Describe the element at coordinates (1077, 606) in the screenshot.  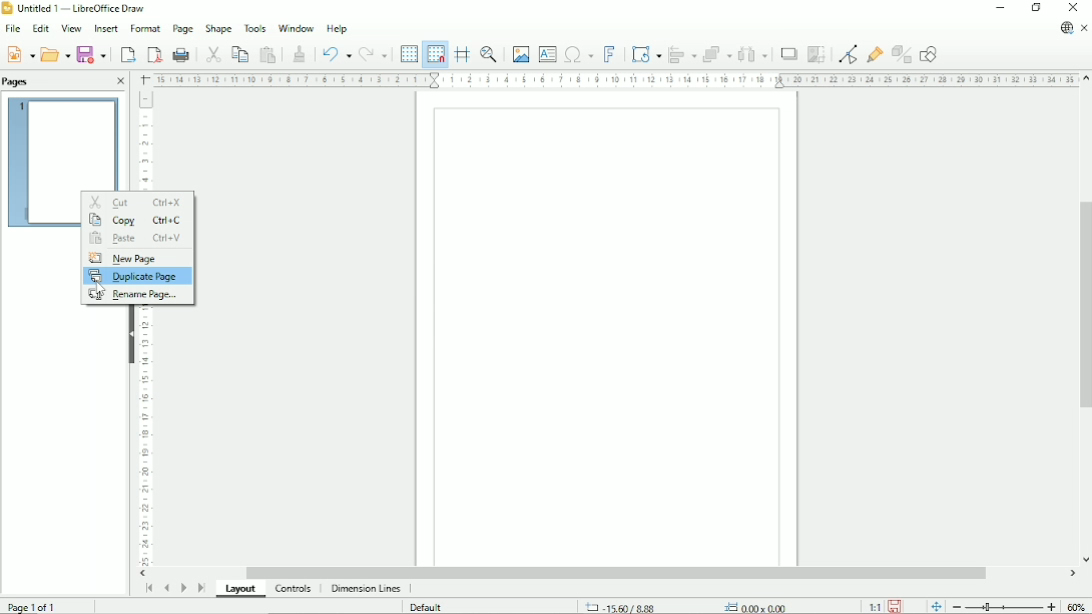
I see `Zoom factor` at that location.